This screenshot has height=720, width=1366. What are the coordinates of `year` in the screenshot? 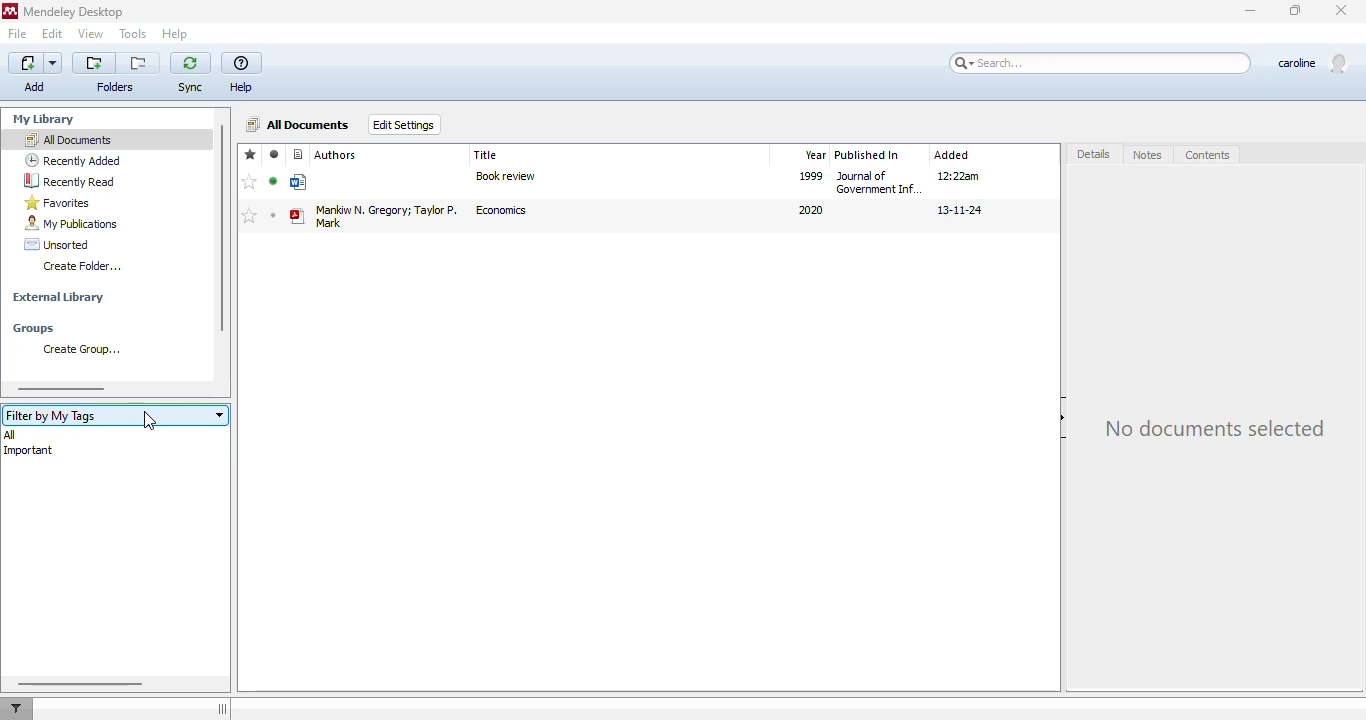 It's located at (814, 155).